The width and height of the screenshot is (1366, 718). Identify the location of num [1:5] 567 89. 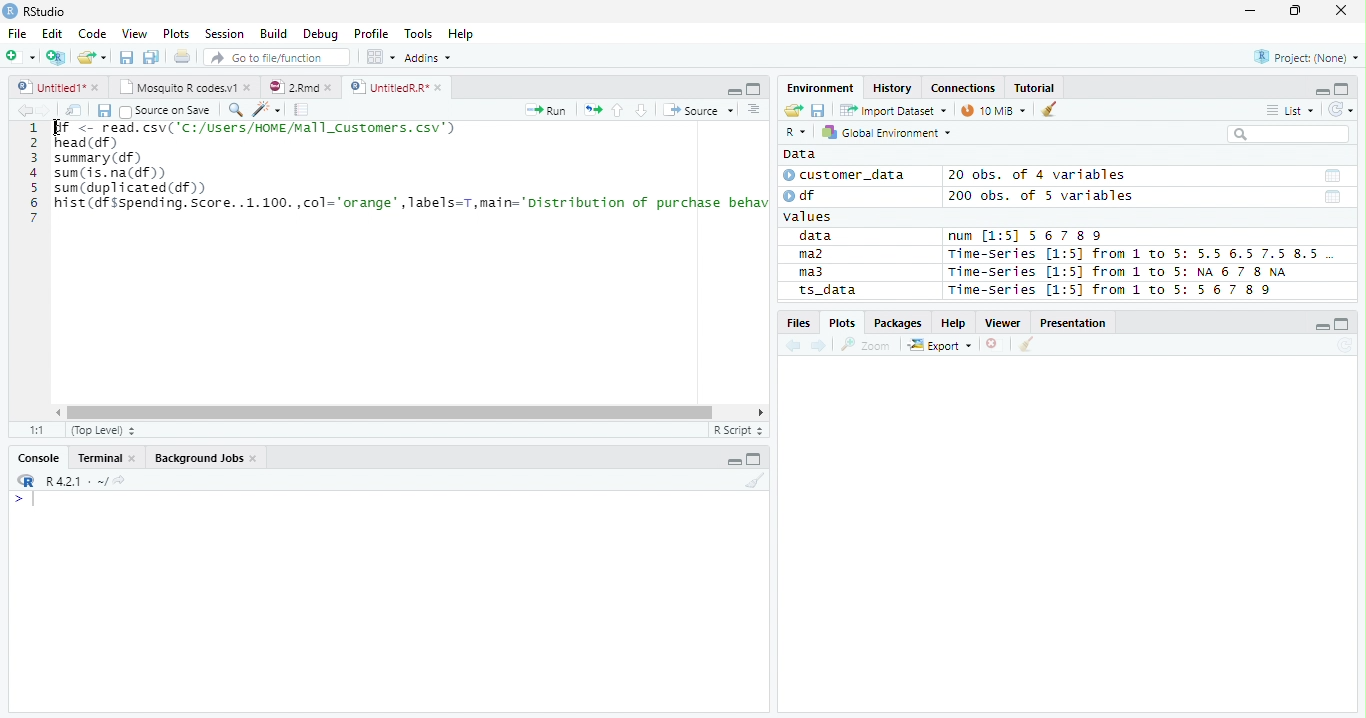
(1026, 236).